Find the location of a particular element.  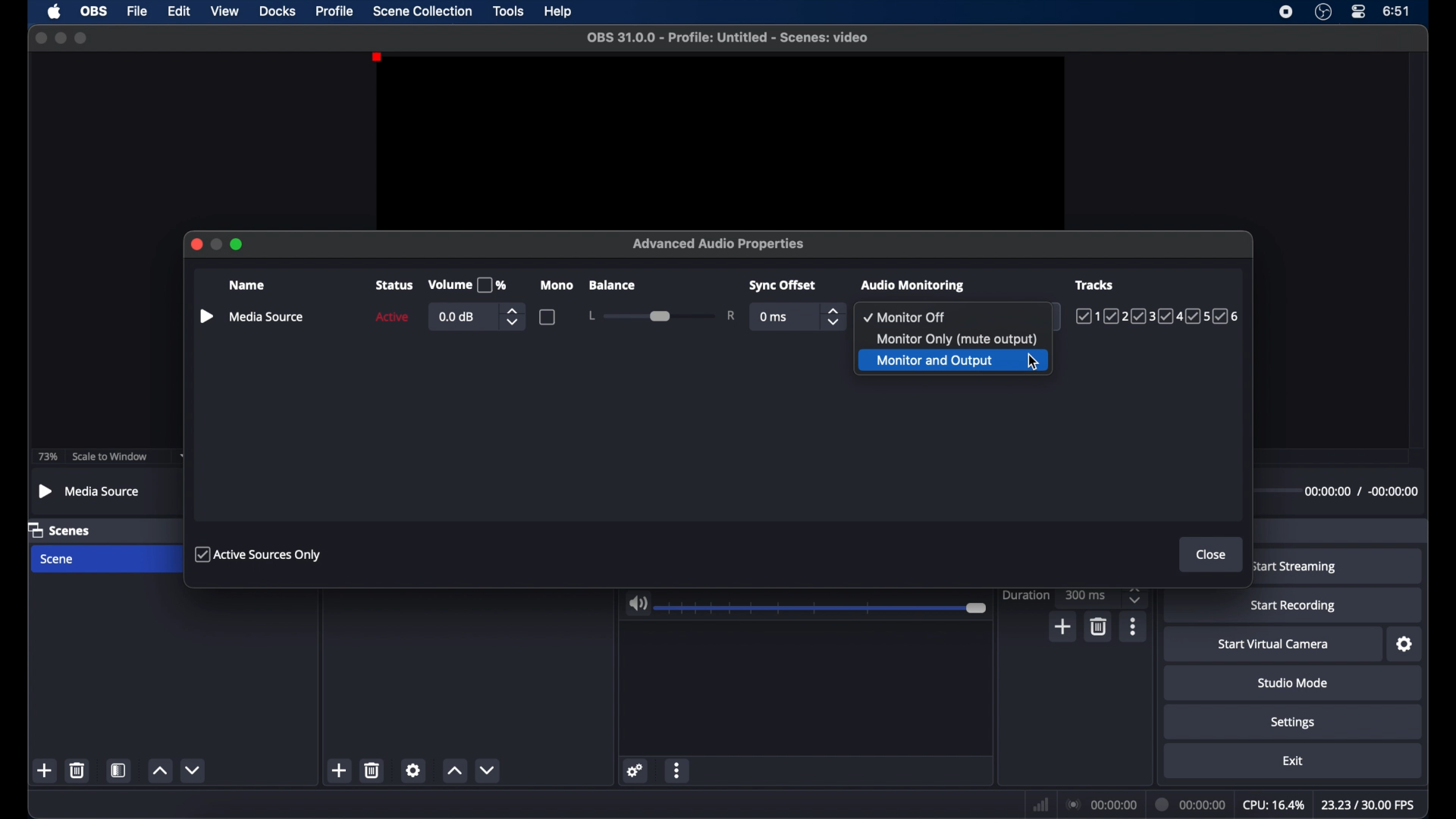

edit is located at coordinates (179, 12).